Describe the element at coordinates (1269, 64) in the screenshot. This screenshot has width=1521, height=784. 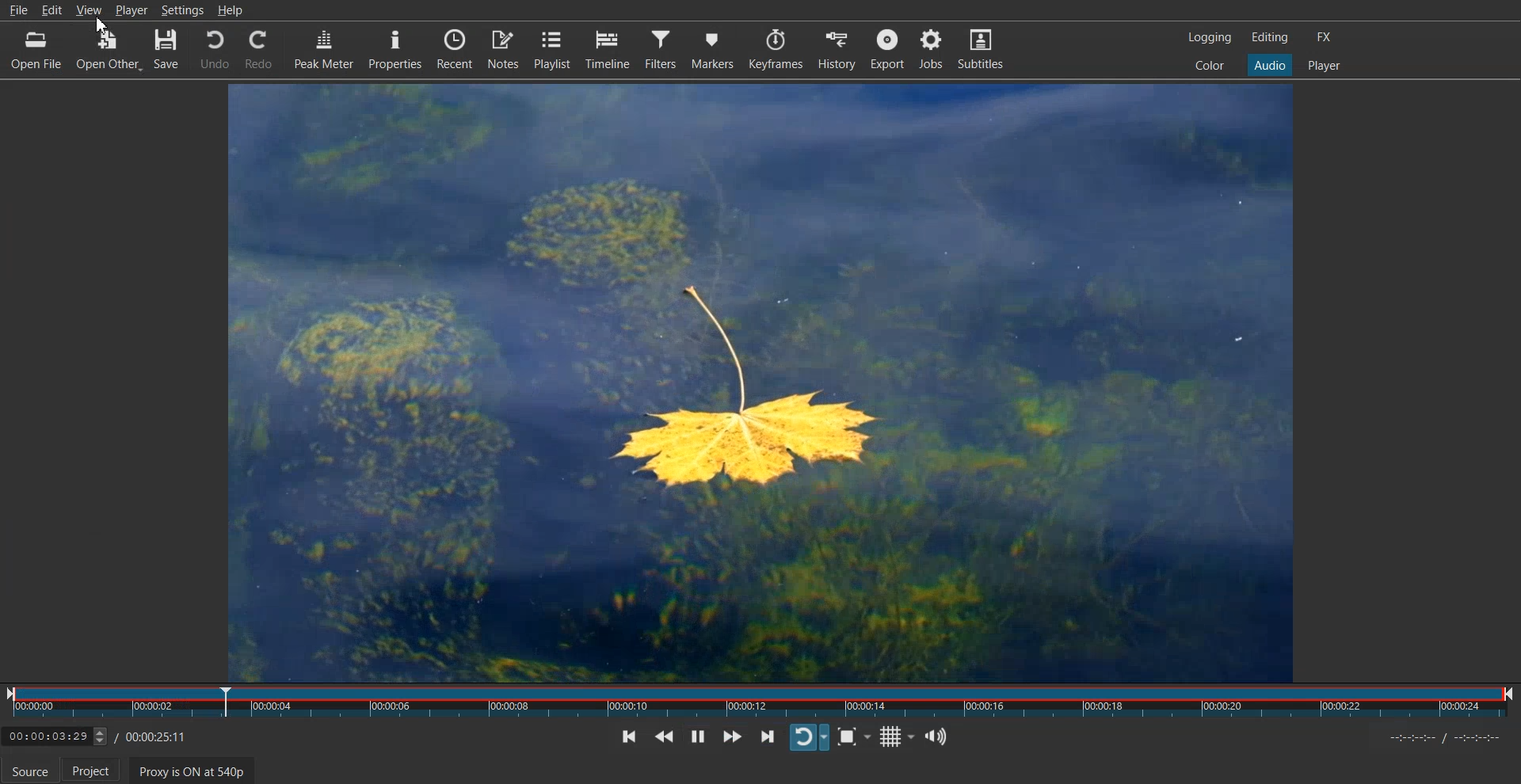
I see `Audio` at that location.